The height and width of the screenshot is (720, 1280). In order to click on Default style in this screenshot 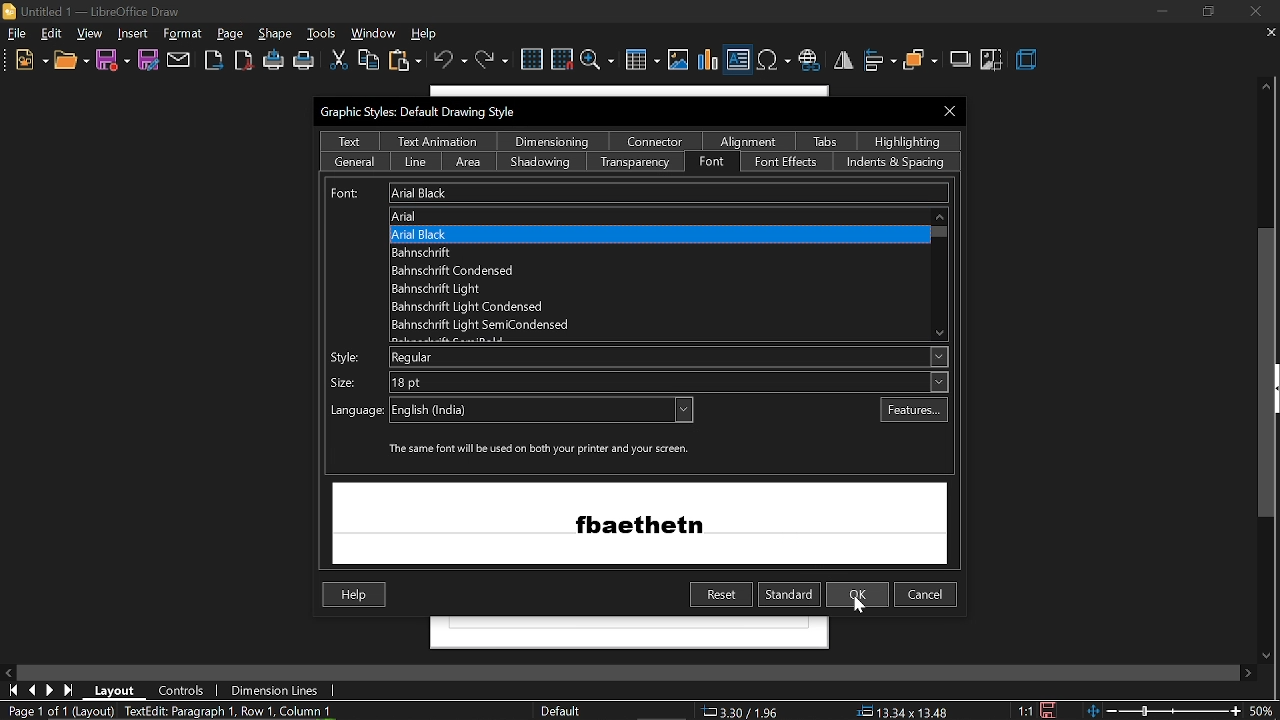, I will do `click(564, 712)`.